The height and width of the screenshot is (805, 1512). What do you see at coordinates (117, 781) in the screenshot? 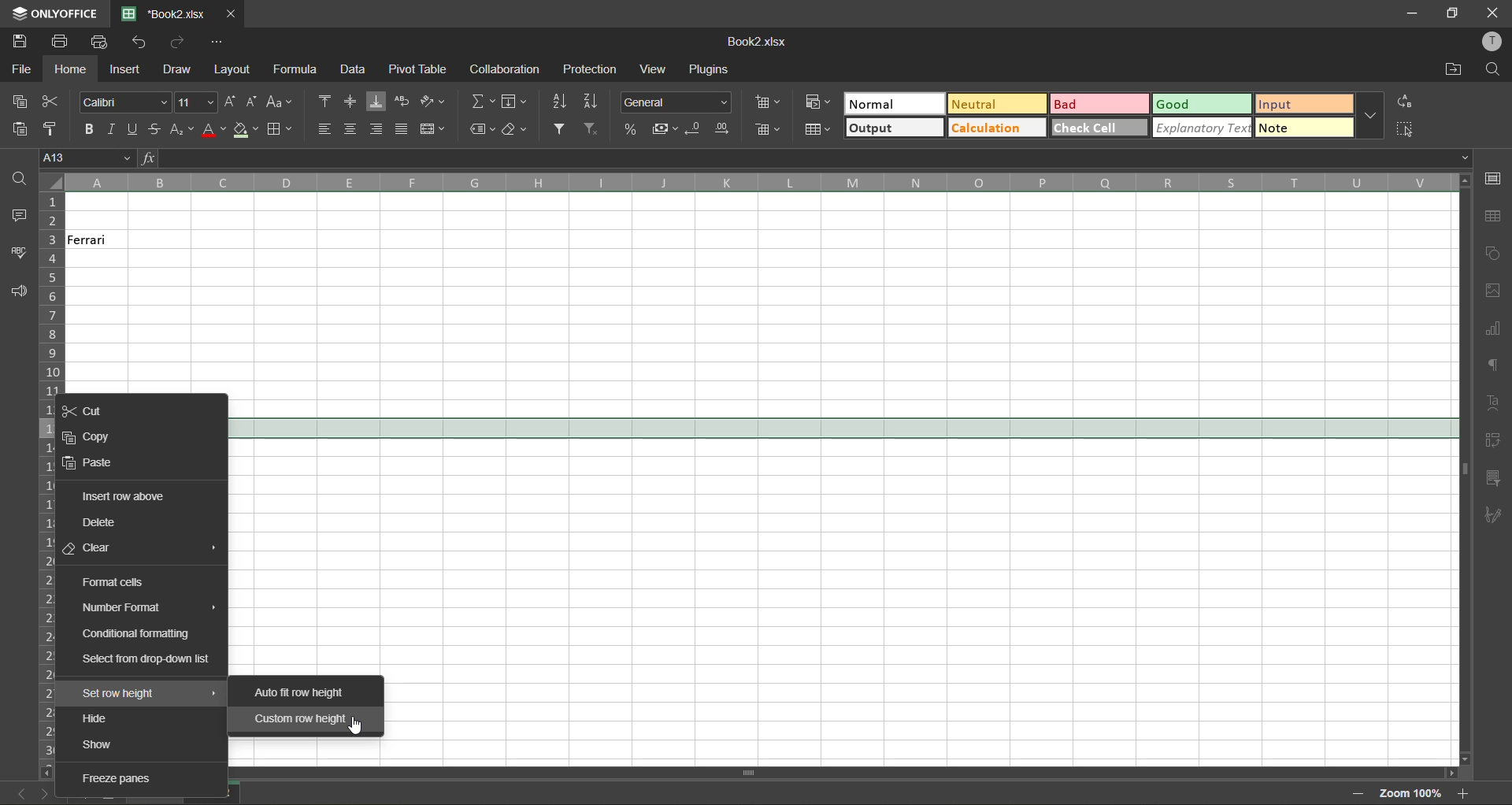
I see `freeze panes` at bounding box center [117, 781].